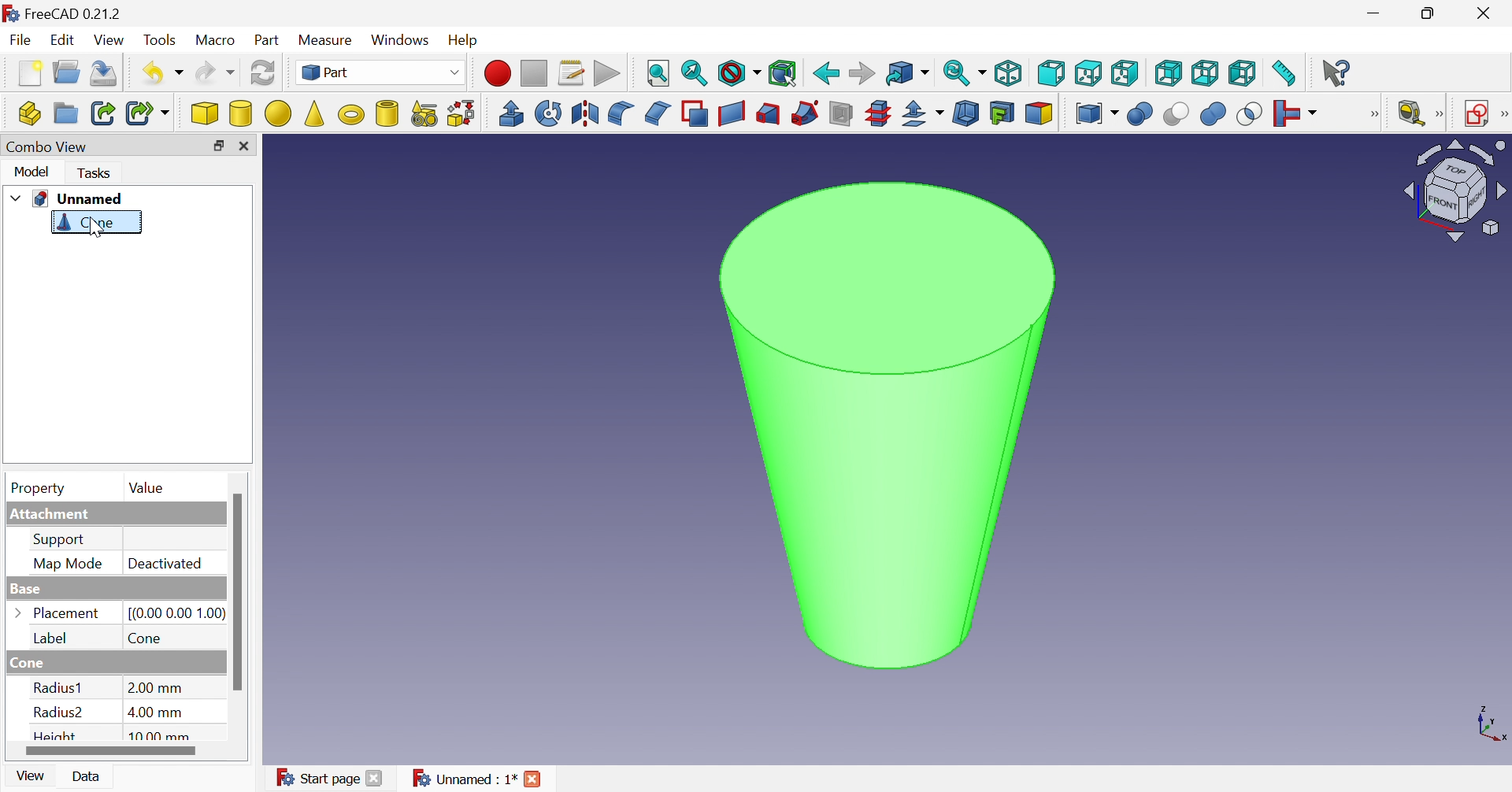 This screenshot has height=792, width=1512. Describe the element at coordinates (658, 113) in the screenshot. I see `Chamfer` at that location.